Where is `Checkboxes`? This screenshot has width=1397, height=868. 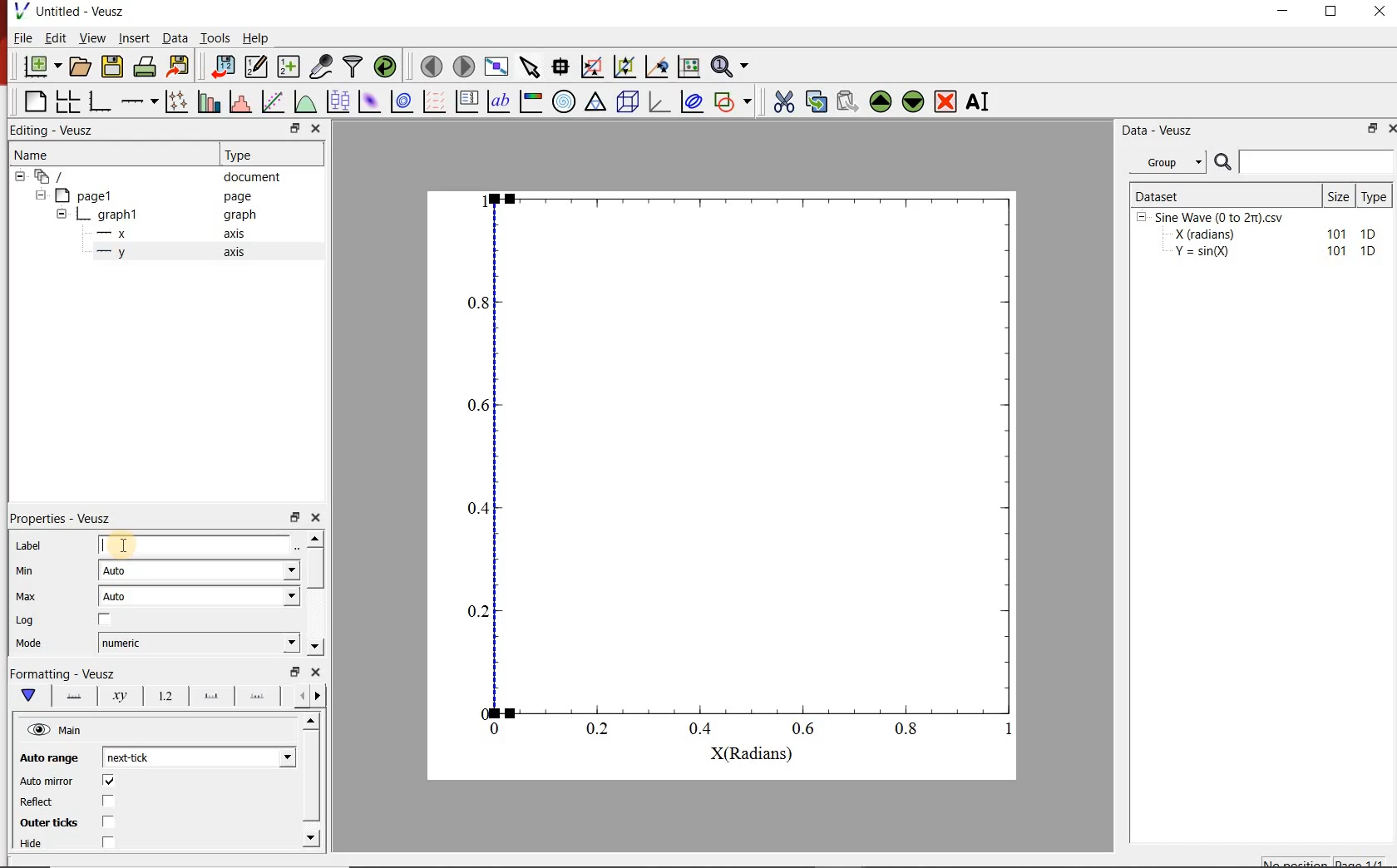 Checkboxes is located at coordinates (105, 812).